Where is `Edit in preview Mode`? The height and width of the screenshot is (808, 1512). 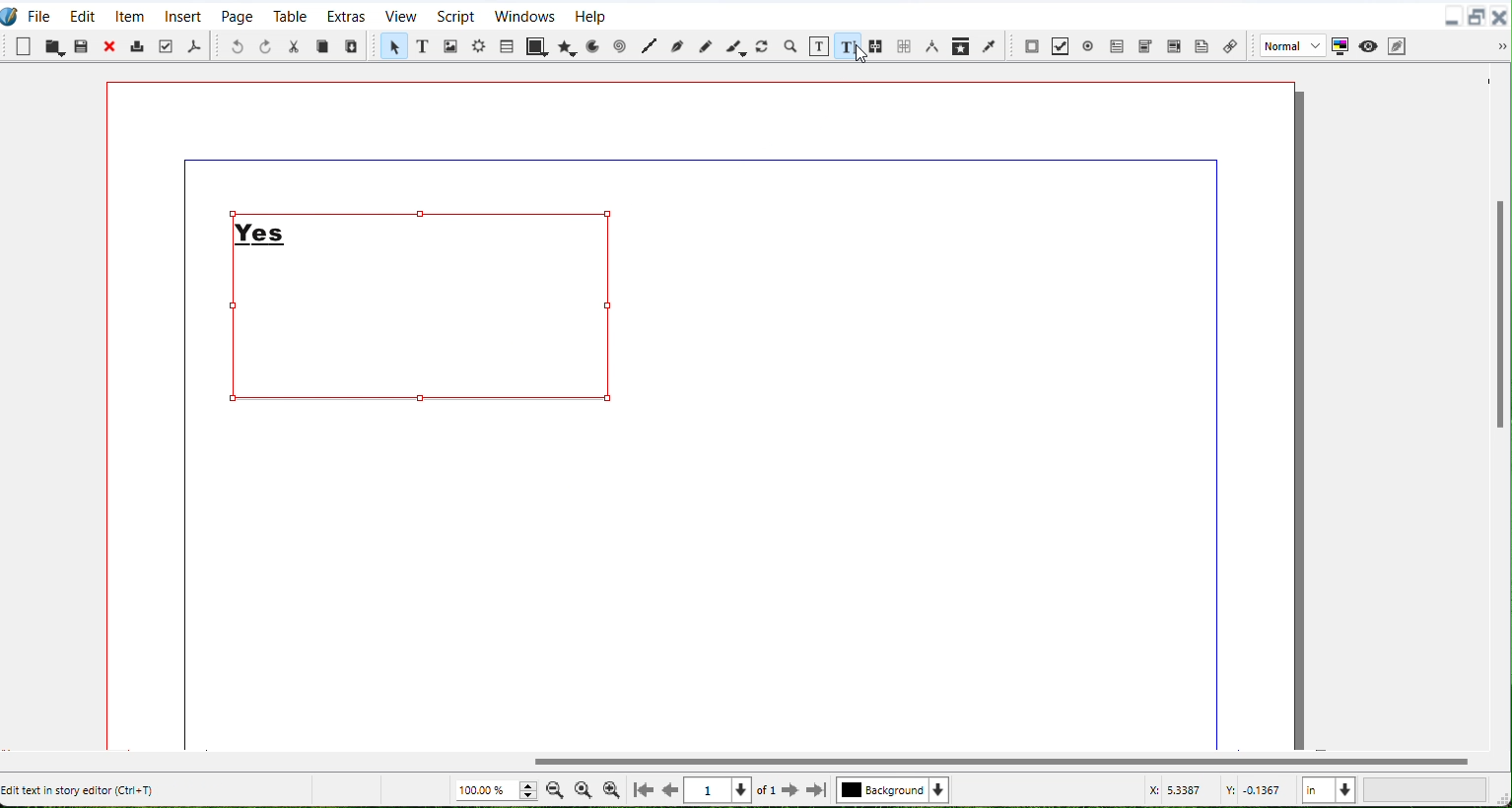 Edit in preview Mode is located at coordinates (1398, 45).